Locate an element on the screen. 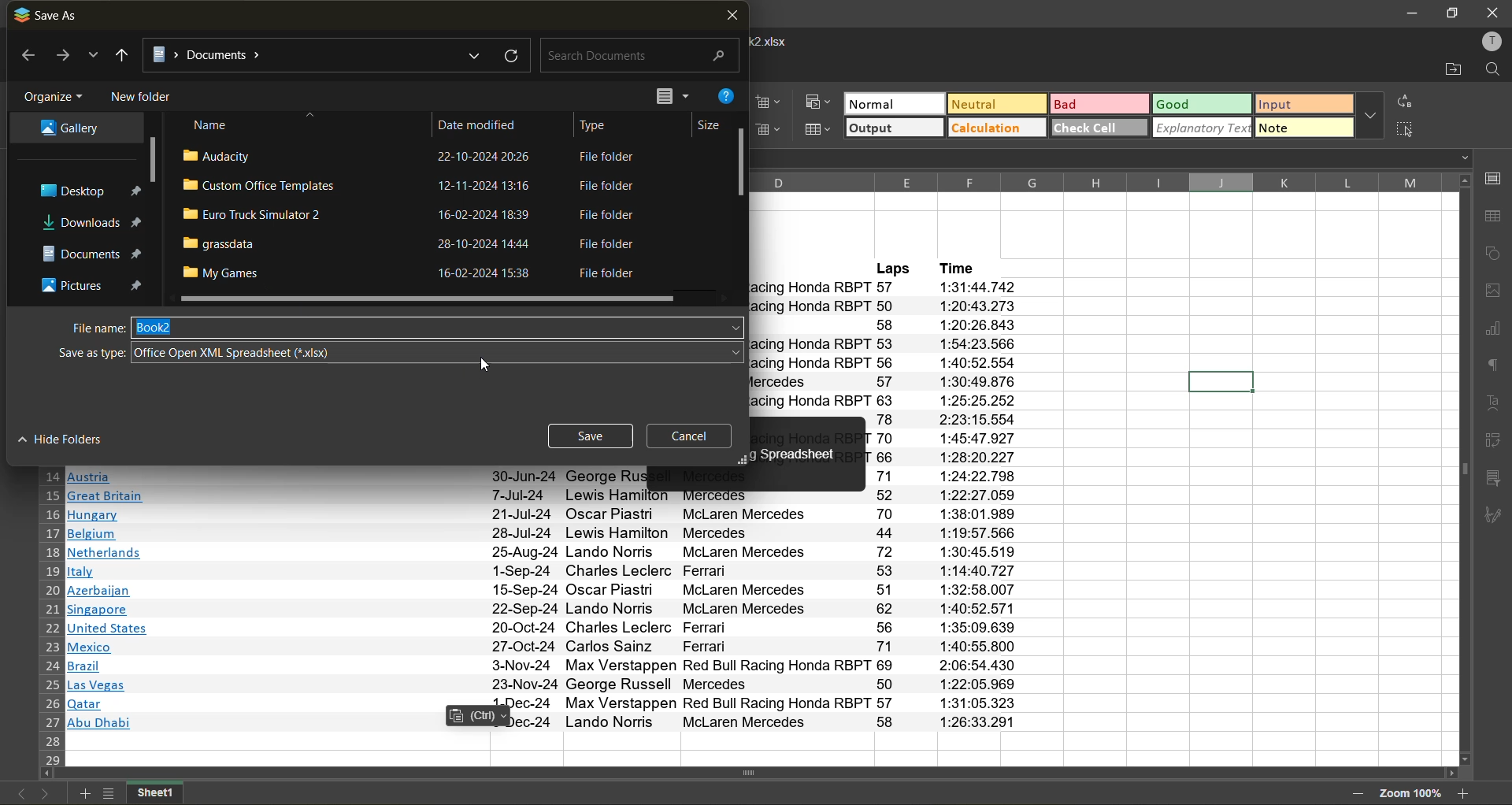 The height and width of the screenshot is (805, 1512). move right is located at coordinates (1450, 774).